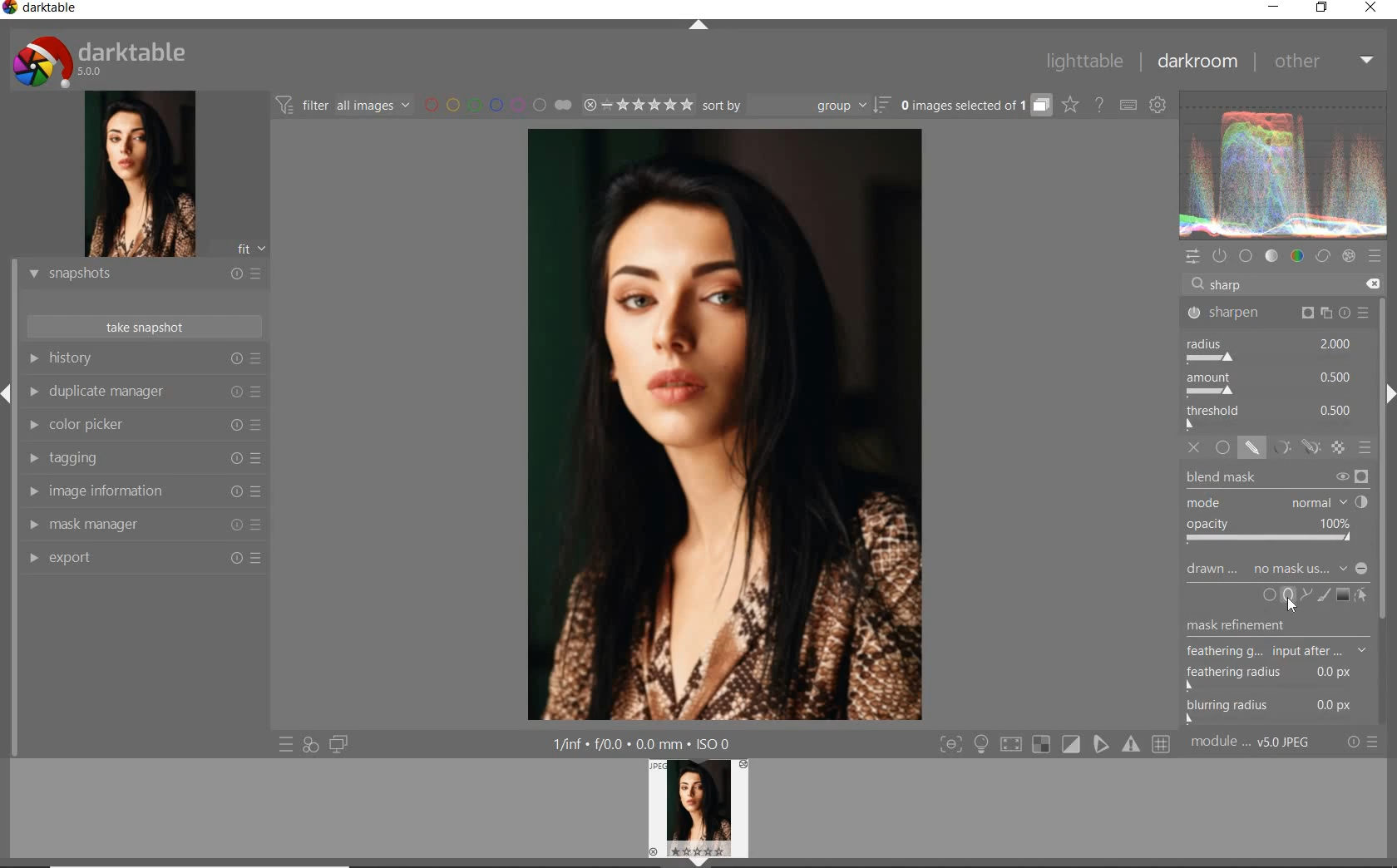 The image size is (1397, 868). I want to click on add brush, so click(1324, 593).